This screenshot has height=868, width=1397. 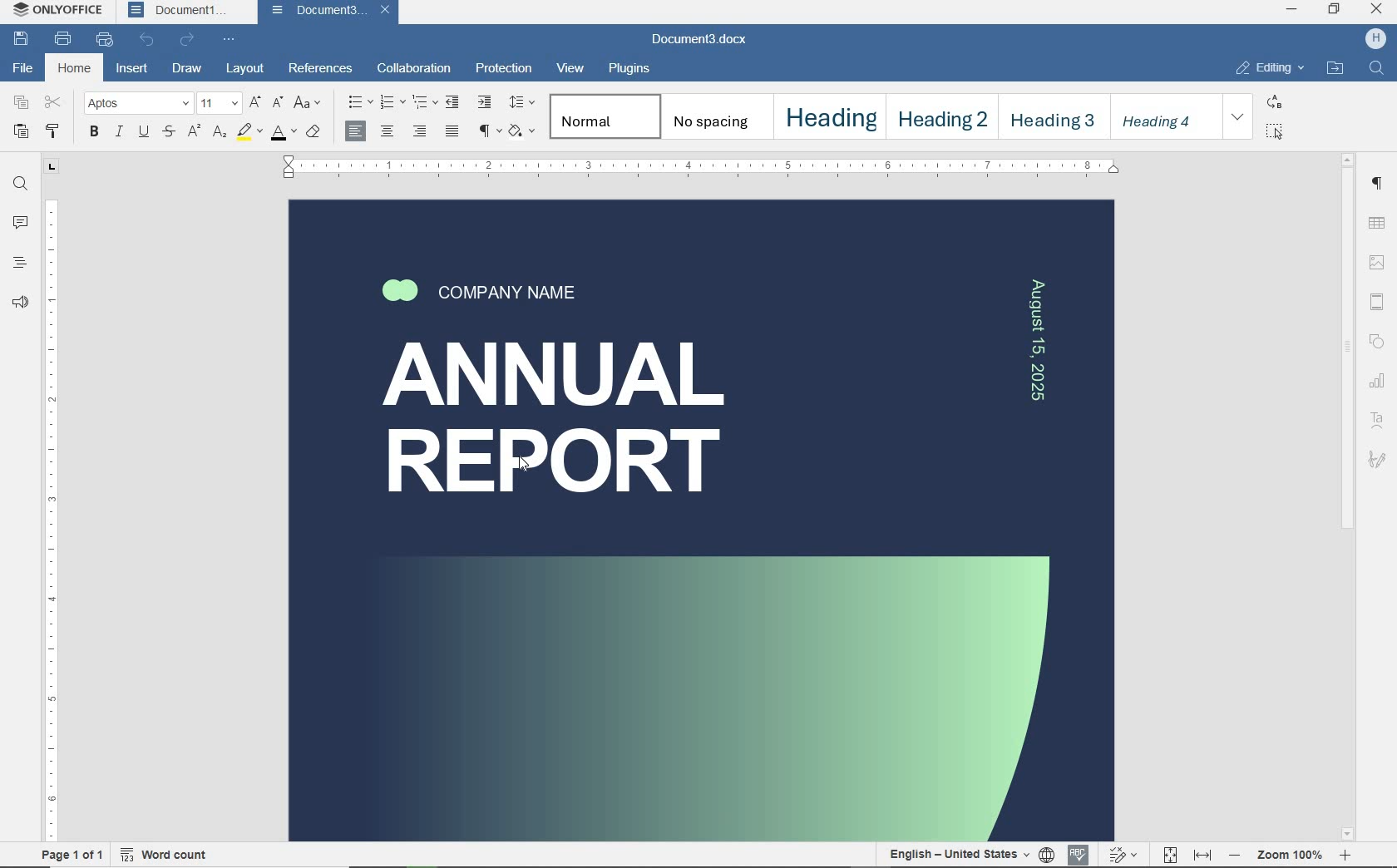 I want to click on chart, so click(x=1378, y=381).